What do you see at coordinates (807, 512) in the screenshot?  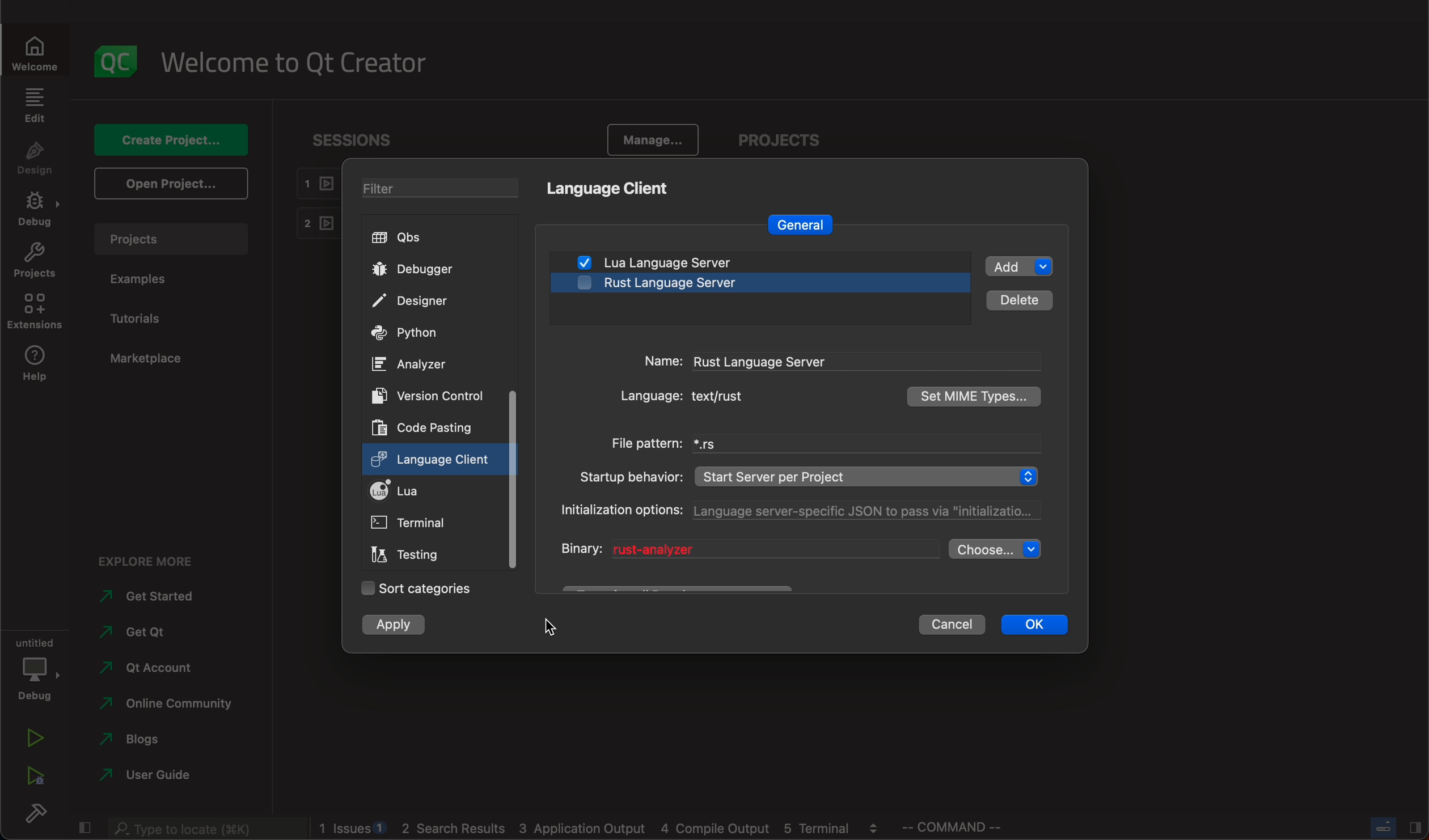 I see `options` at bounding box center [807, 512].